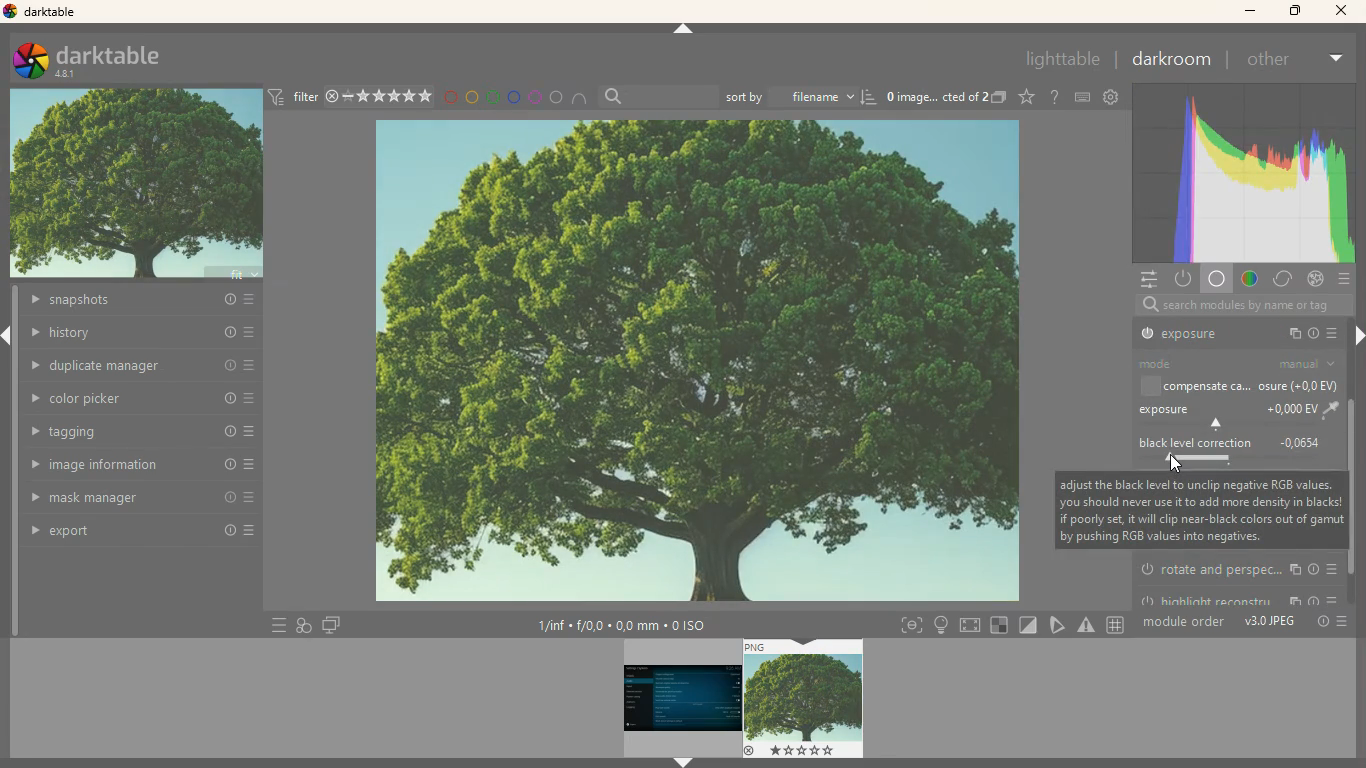  Describe the element at coordinates (1294, 13) in the screenshot. I see `maximize` at that location.